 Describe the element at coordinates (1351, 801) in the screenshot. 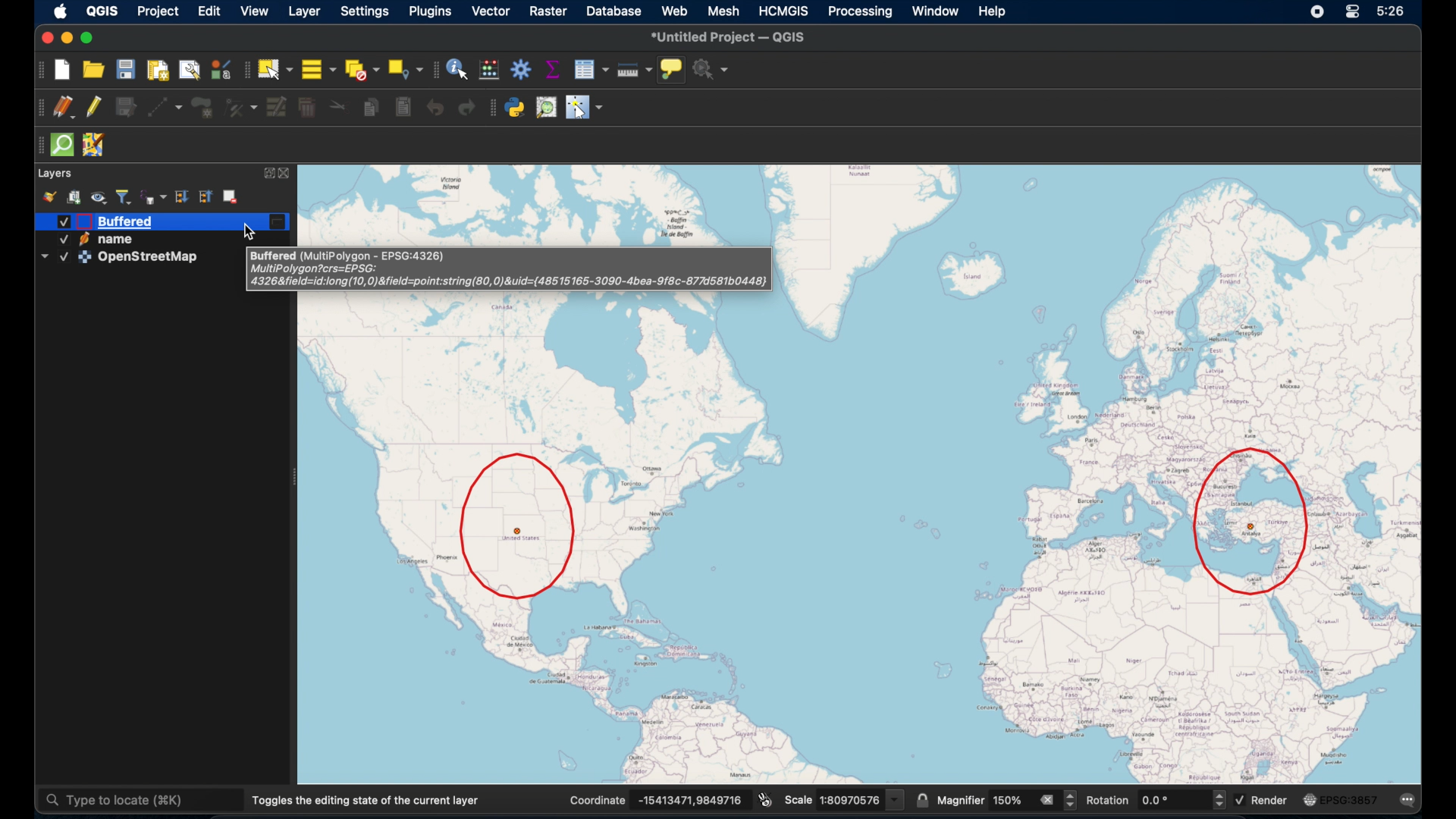

I see `EPSG:3875` at that location.